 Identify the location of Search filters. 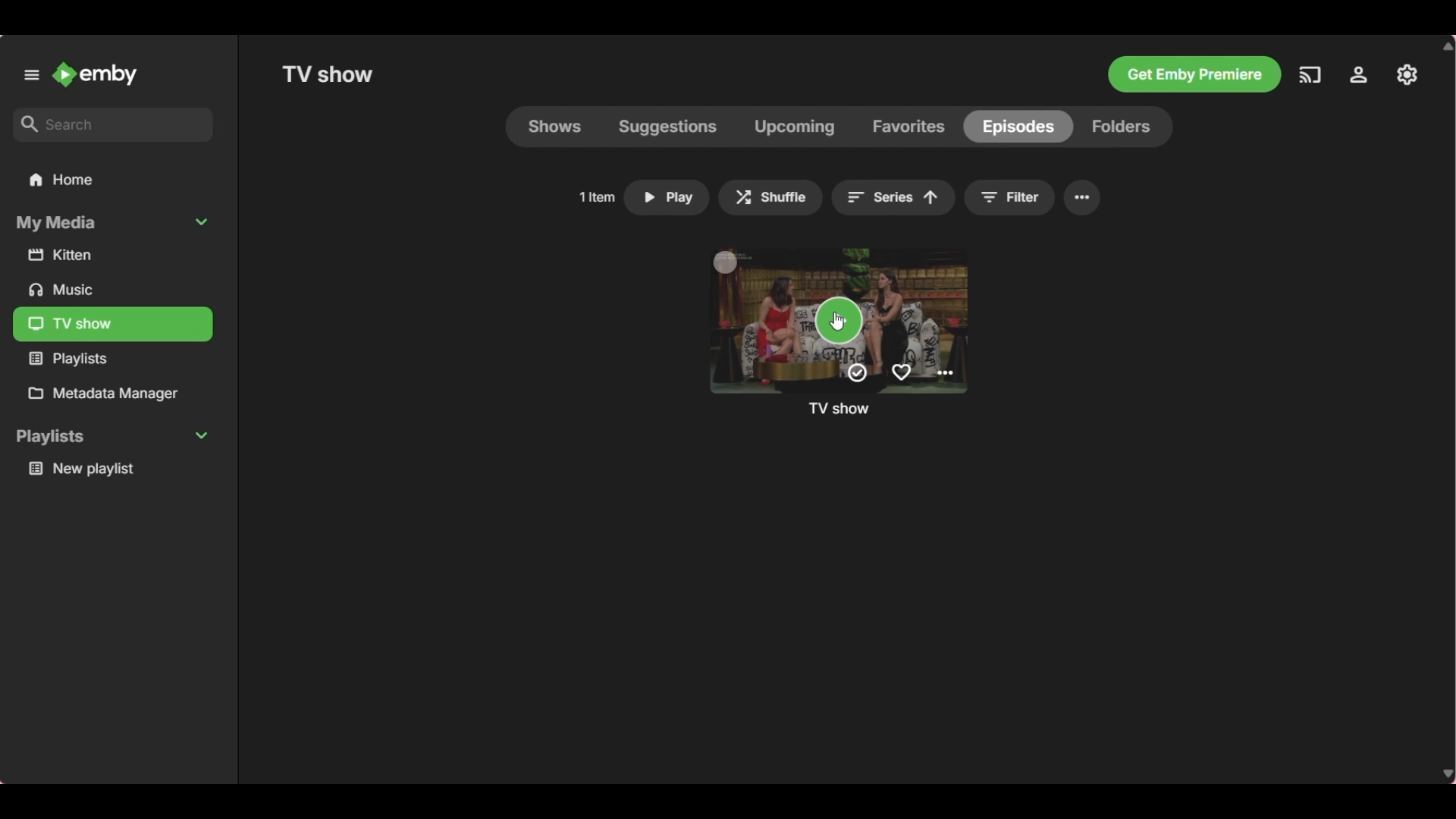
(1012, 198).